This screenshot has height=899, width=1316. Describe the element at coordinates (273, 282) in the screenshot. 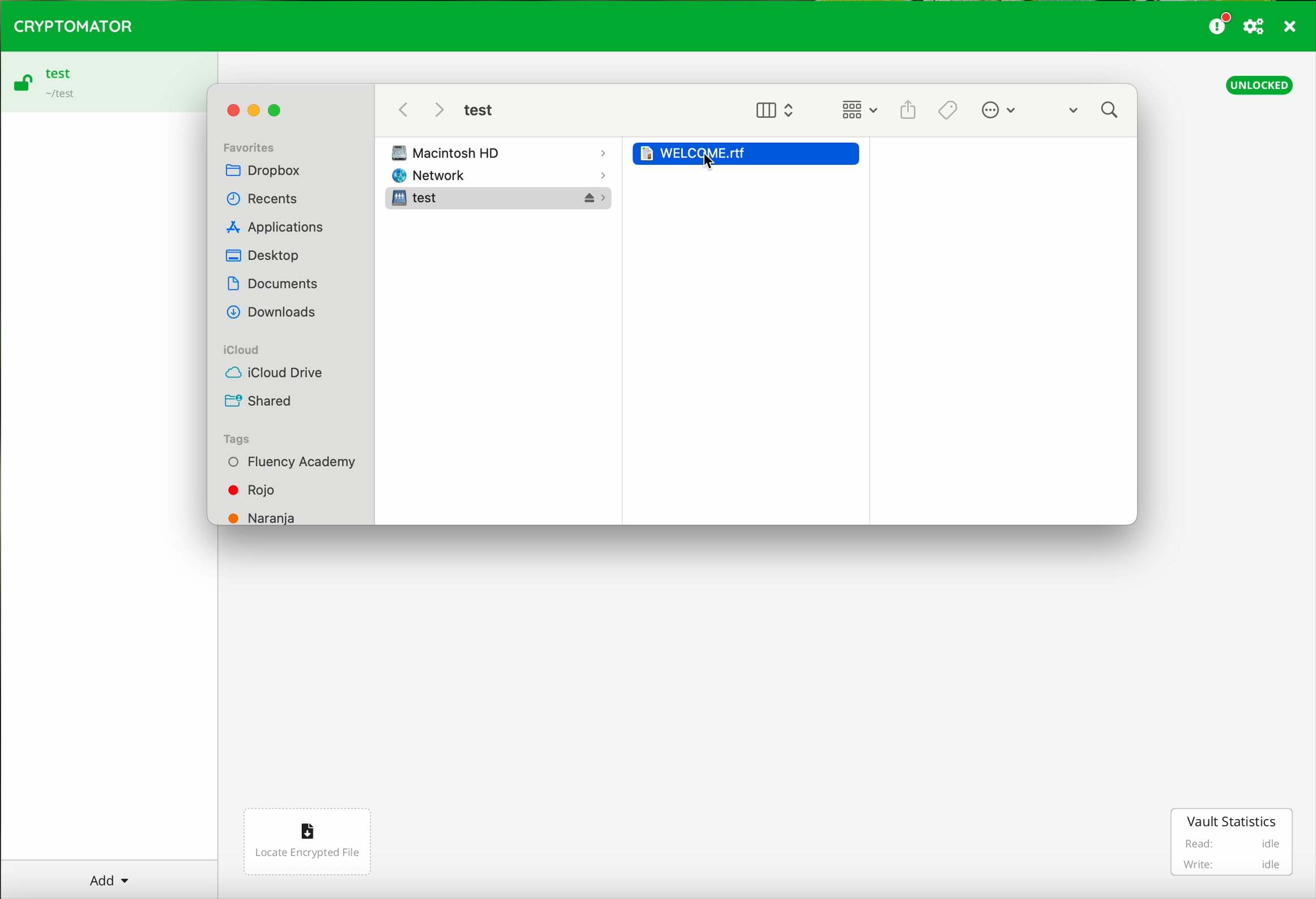

I see `Documents` at that location.